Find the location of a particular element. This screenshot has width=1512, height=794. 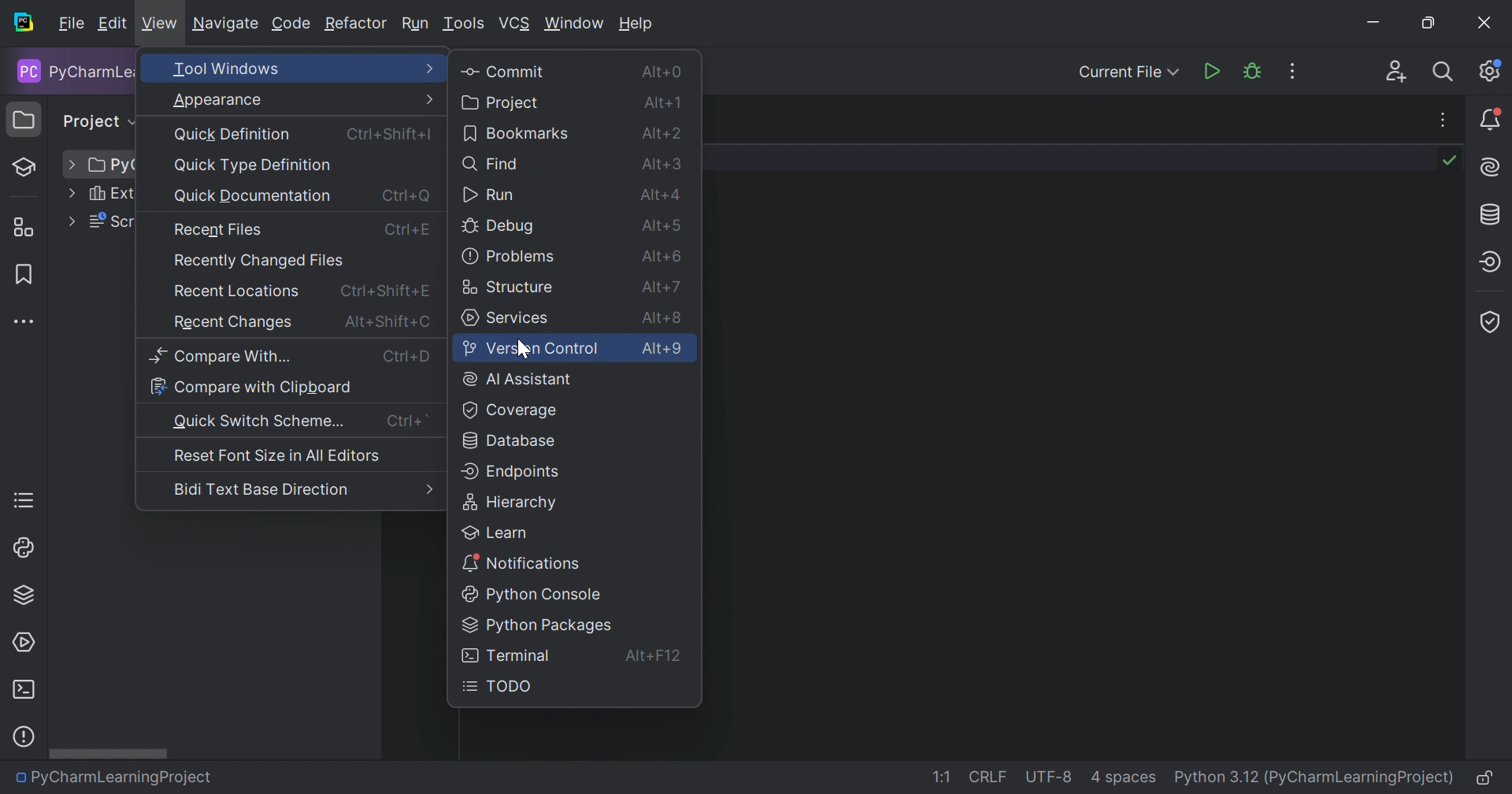

Reset Font Size in All Editors is located at coordinates (275, 455).